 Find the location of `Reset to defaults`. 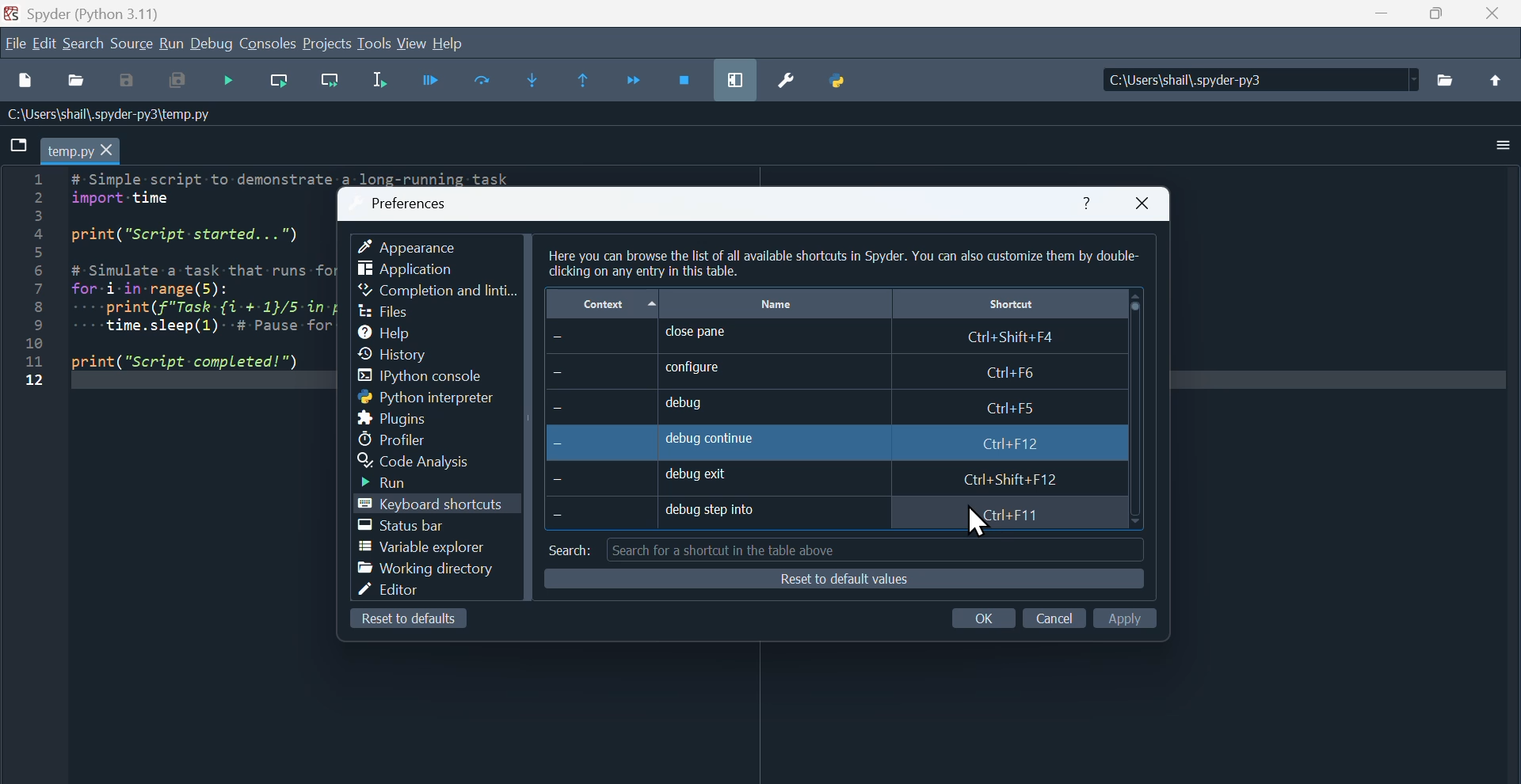

Reset to defaults is located at coordinates (843, 581).